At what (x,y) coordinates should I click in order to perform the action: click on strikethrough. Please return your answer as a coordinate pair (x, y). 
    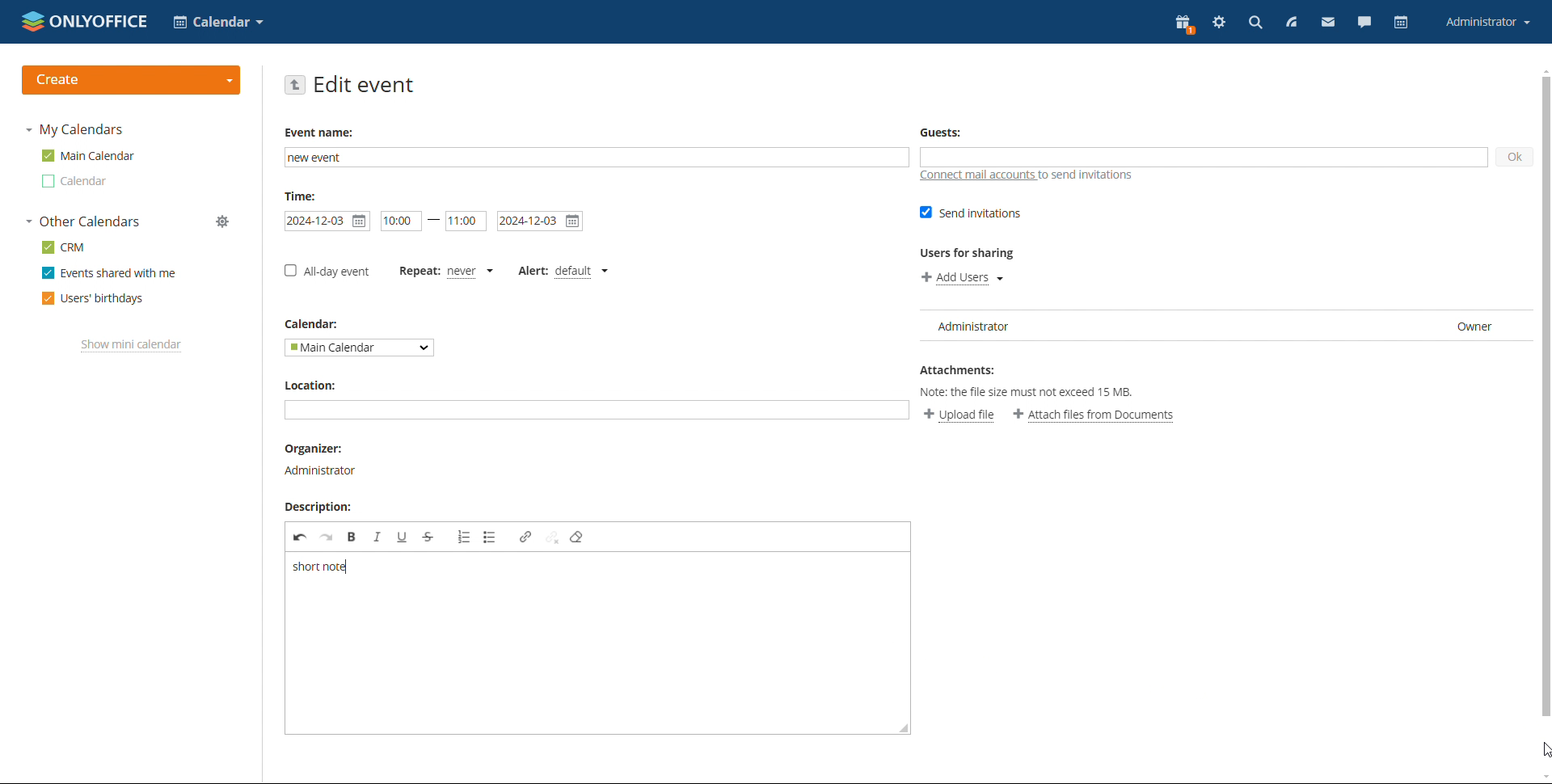
    Looking at the image, I should click on (428, 537).